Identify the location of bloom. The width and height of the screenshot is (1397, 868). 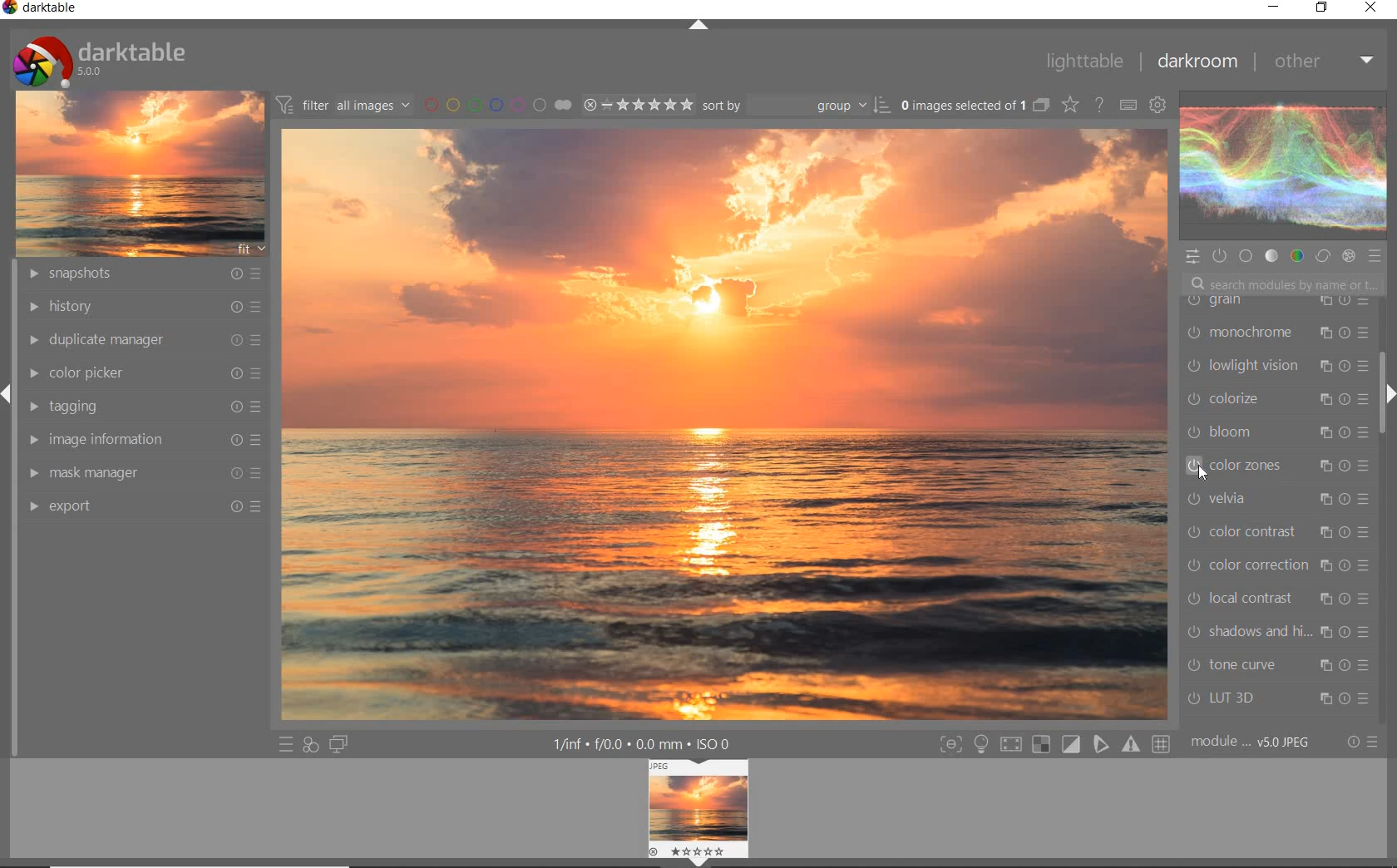
(1277, 435).